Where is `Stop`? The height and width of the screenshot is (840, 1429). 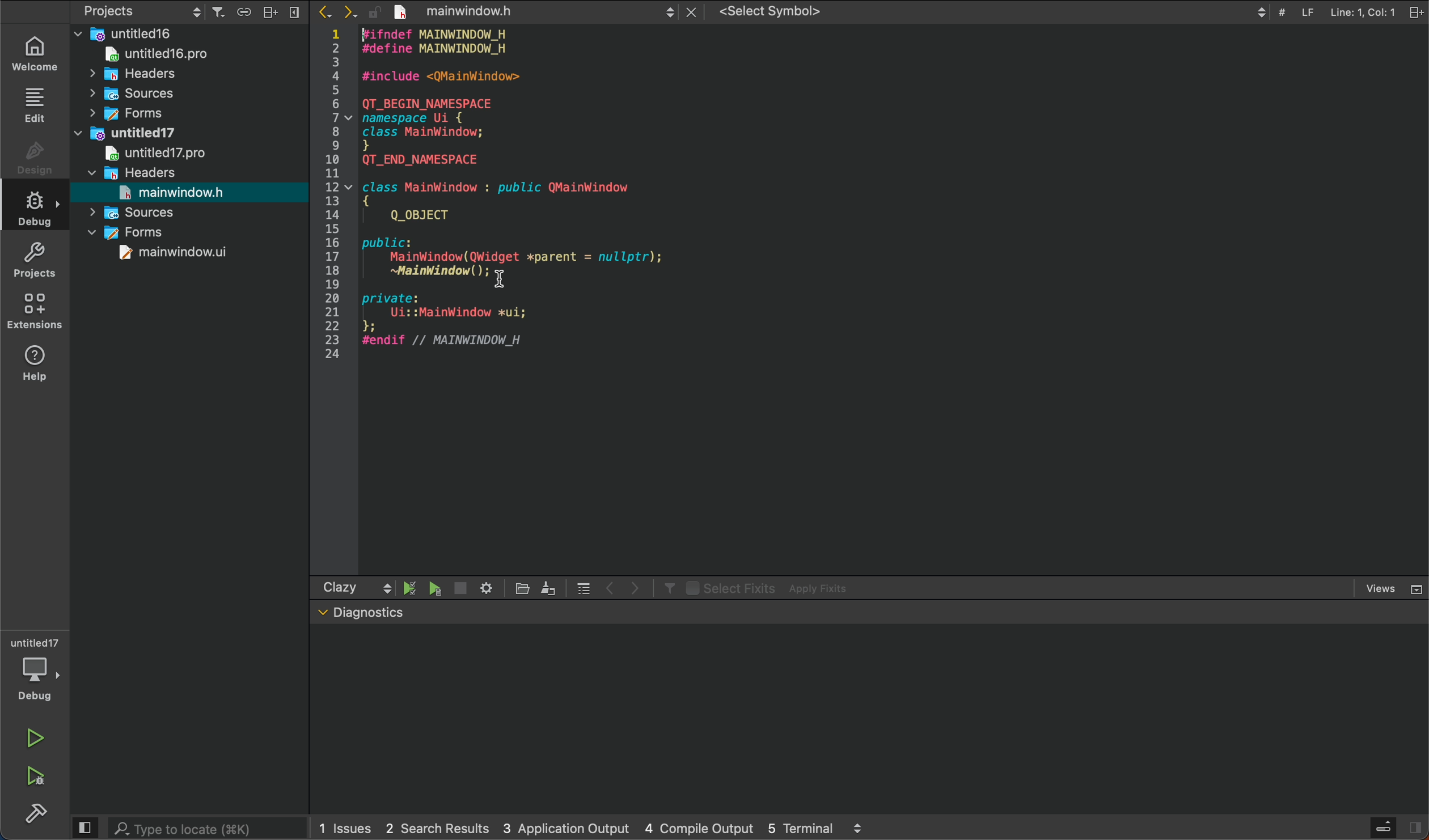 Stop is located at coordinates (459, 588).